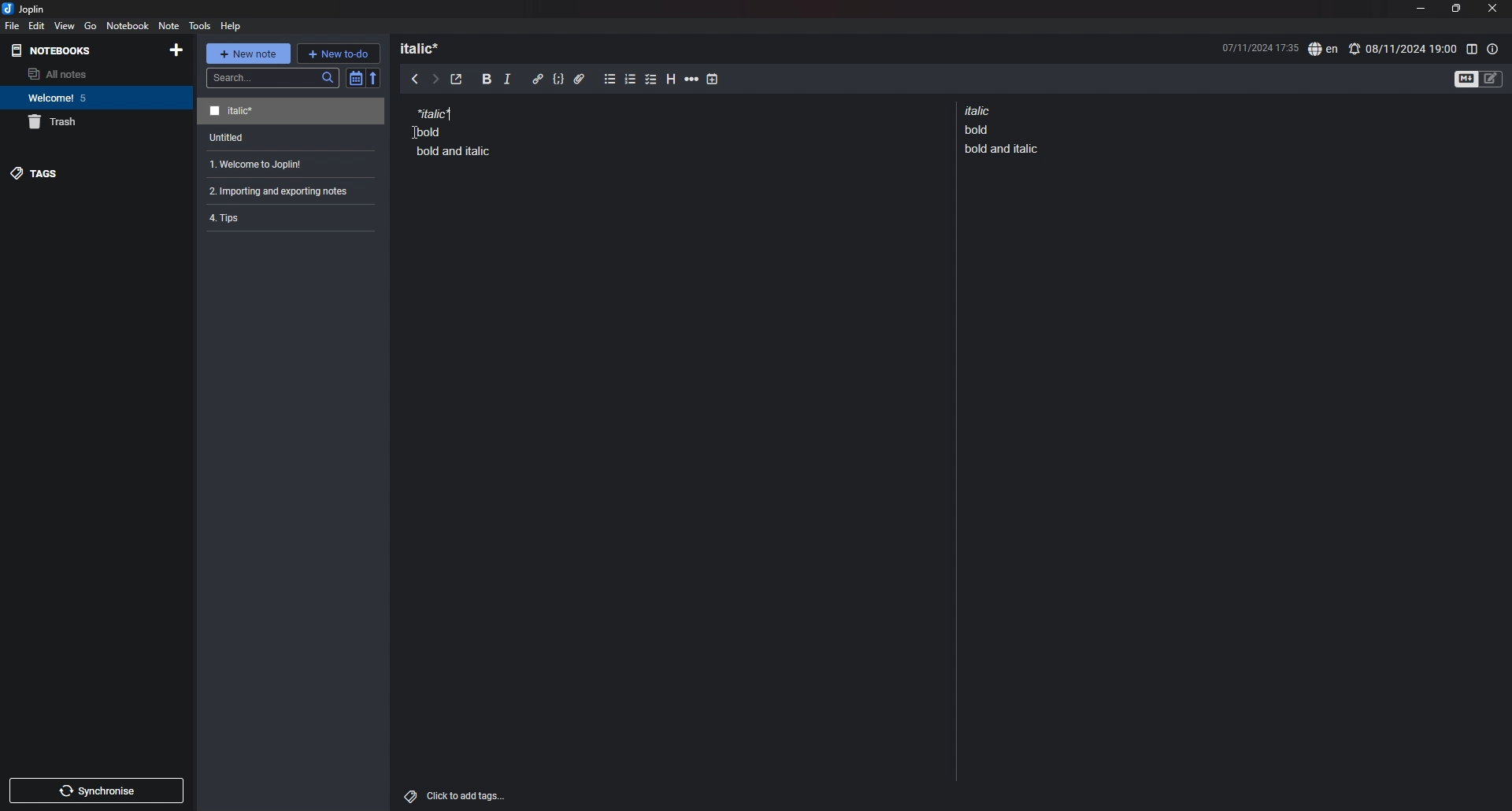 The height and width of the screenshot is (811, 1512). I want to click on note, so click(285, 217).